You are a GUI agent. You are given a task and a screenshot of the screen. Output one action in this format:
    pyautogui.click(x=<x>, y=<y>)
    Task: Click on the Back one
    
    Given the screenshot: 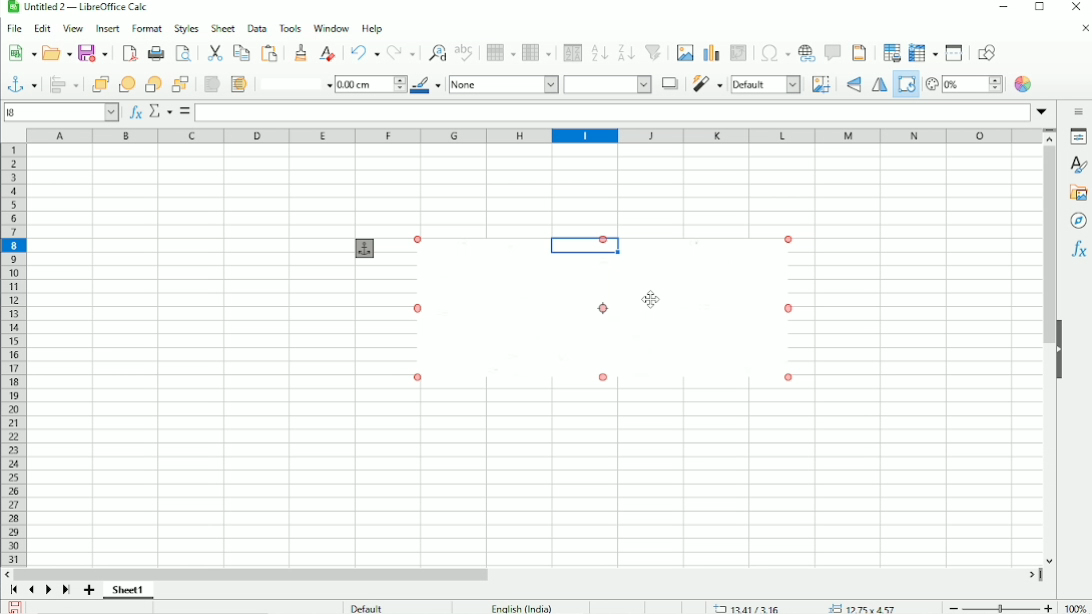 What is the action you would take?
    pyautogui.click(x=152, y=84)
    